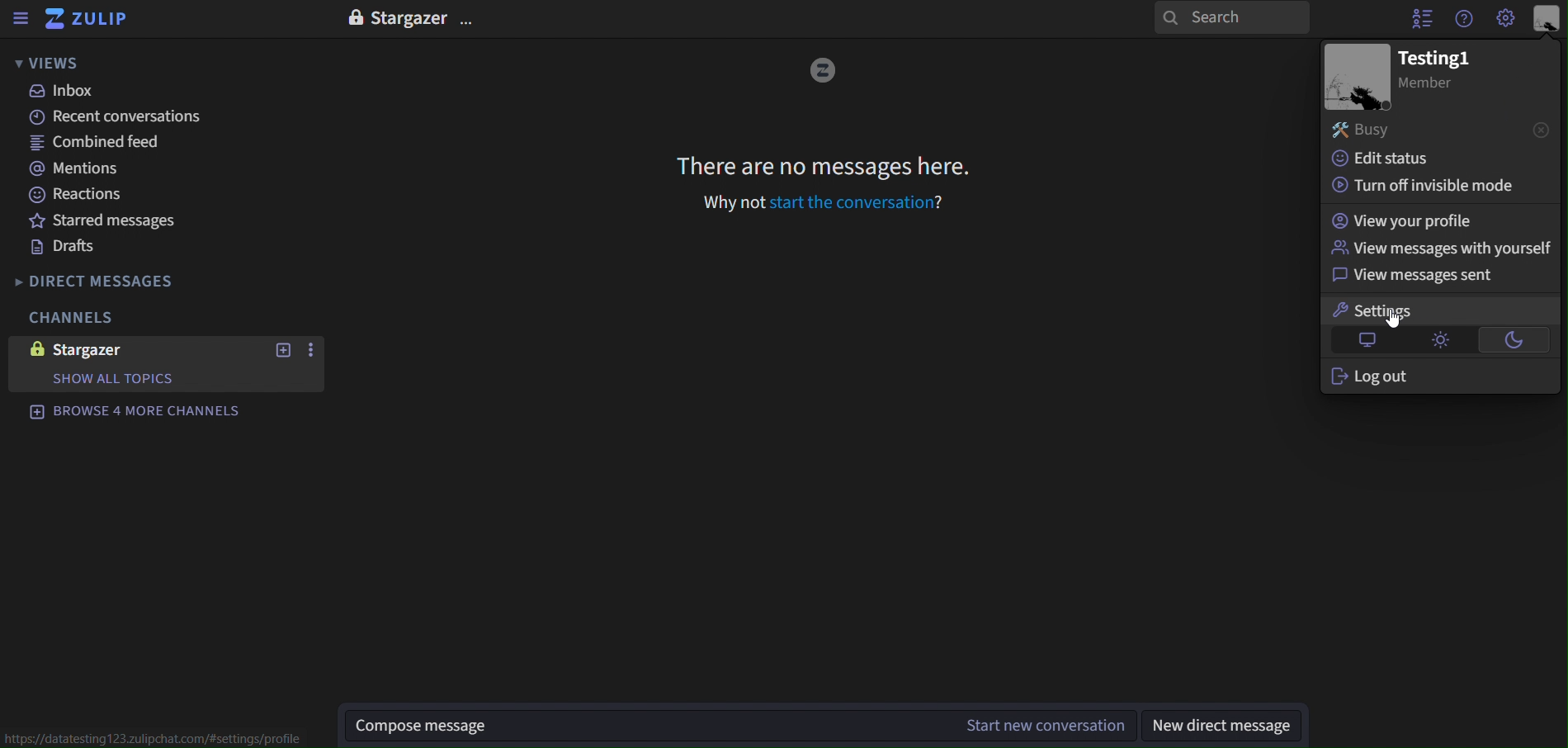 The height and width of the screenshot is (748, 1568). Describe the element at coordinates (1412, 275) in the screenshot. I see `view messages sent` at that location.